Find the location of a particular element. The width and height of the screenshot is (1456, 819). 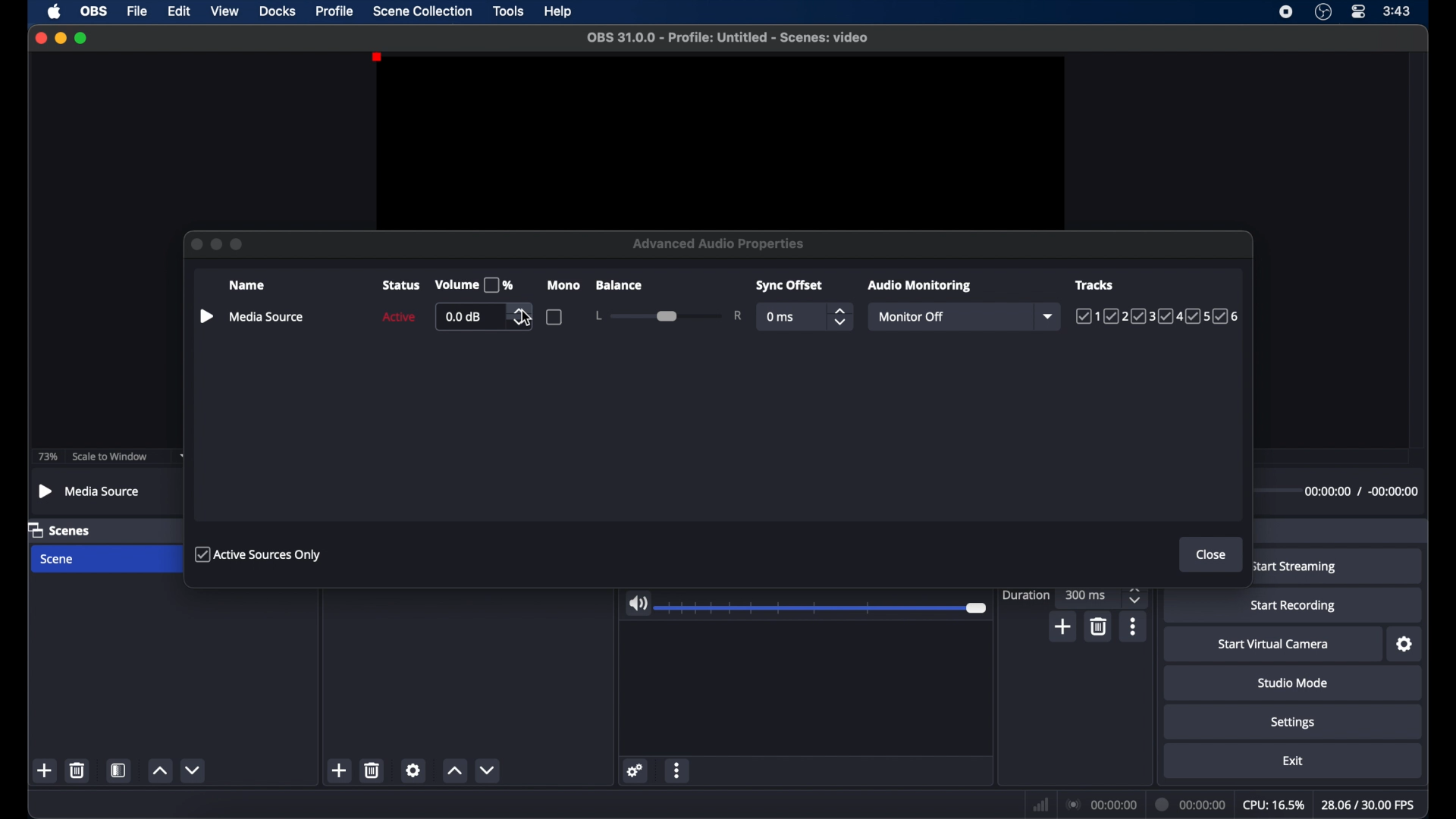

slider is located at coordinates (668, 315).